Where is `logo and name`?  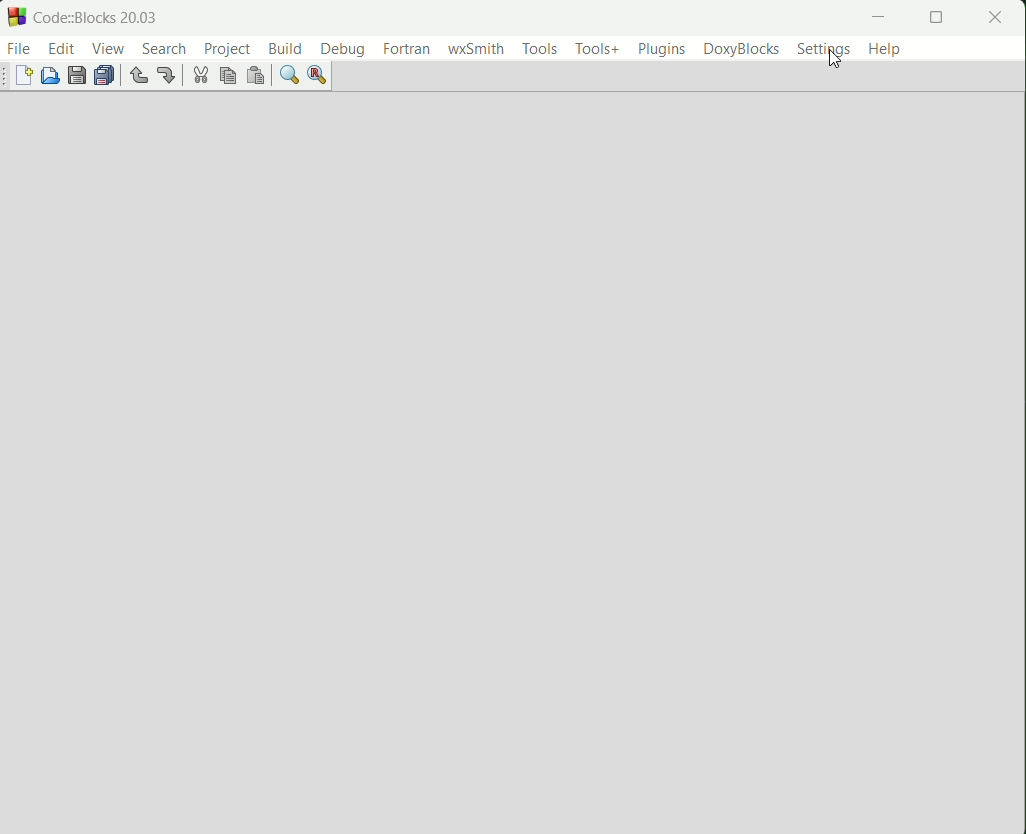
logo and name is located at coordinates (16, 18).